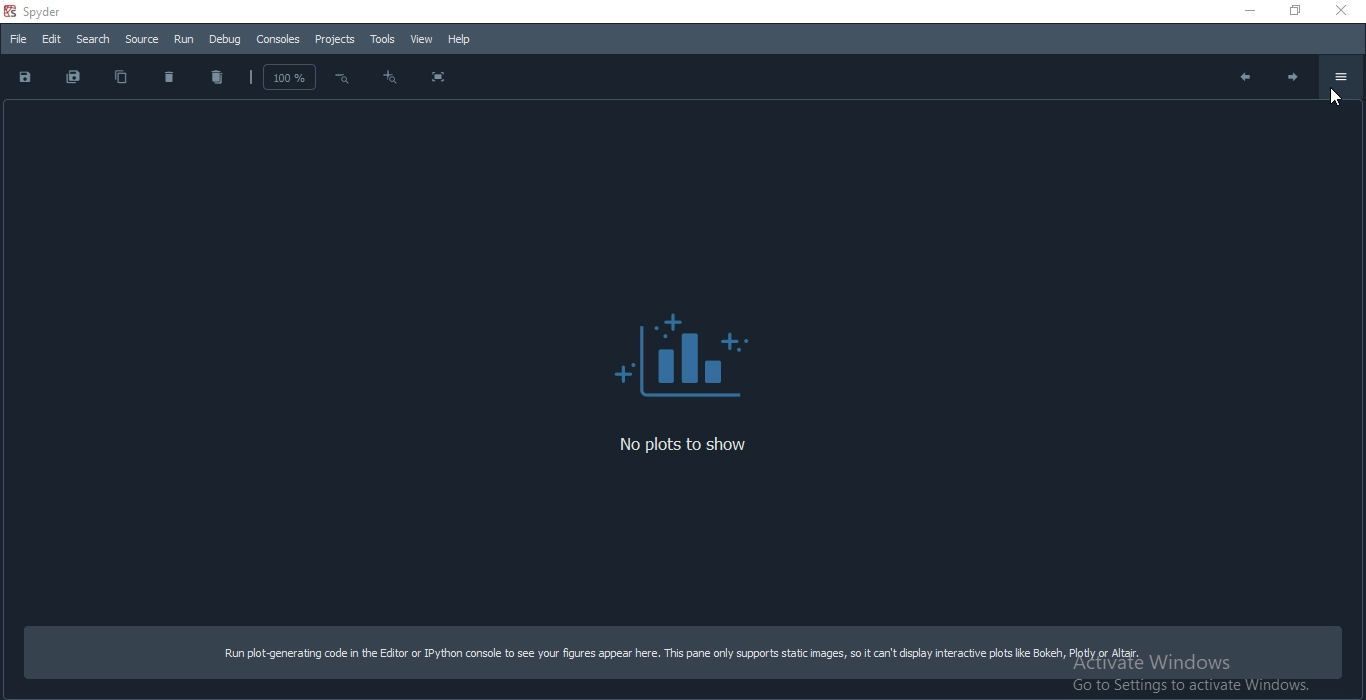 This screenshot has height=700, width=1366. Describe the element at coordinates (226, 40) in the screenshot. I see `Debug` at that location.